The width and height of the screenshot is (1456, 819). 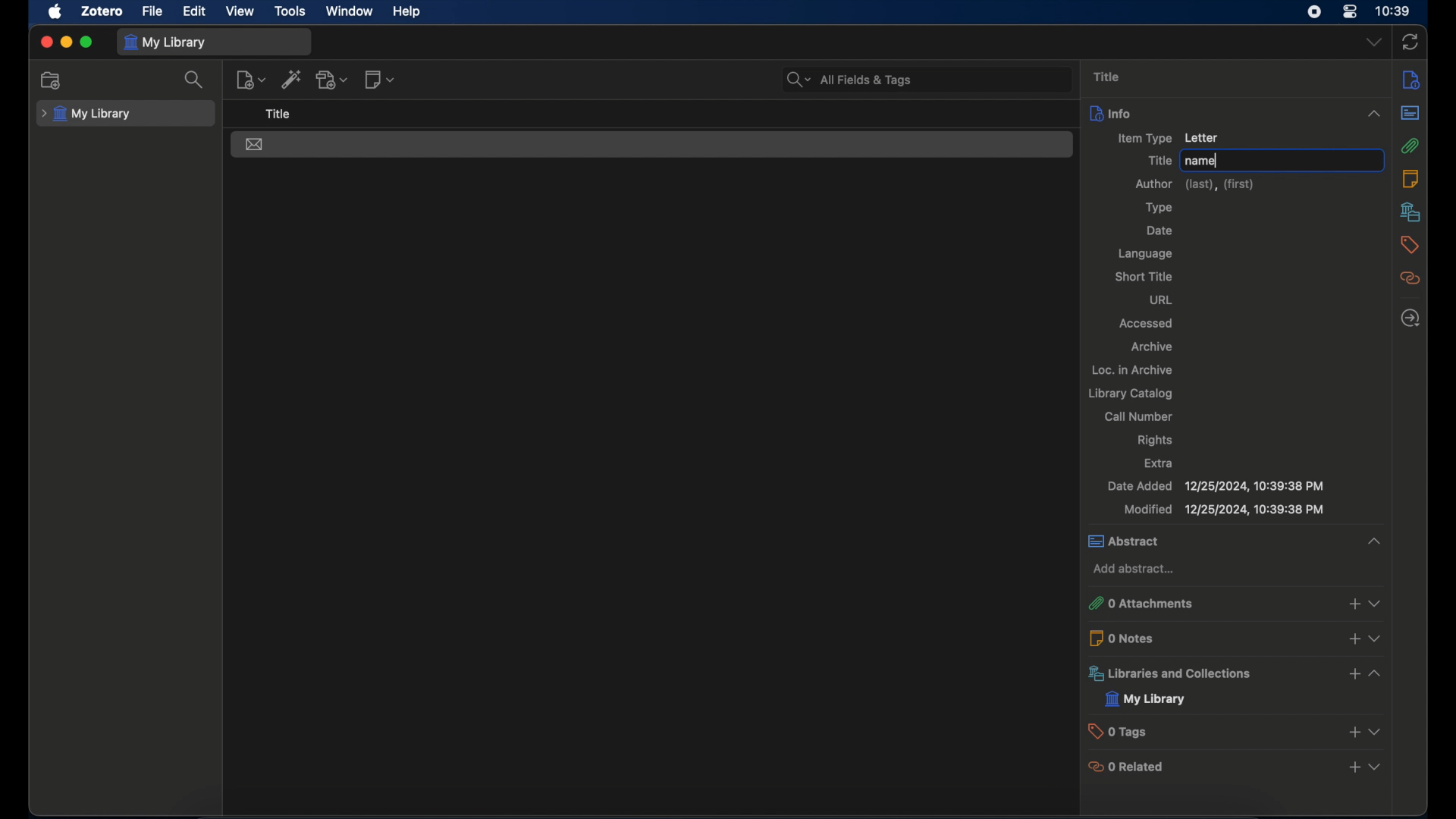 I want to click on language, so click(x=1150, y=253).